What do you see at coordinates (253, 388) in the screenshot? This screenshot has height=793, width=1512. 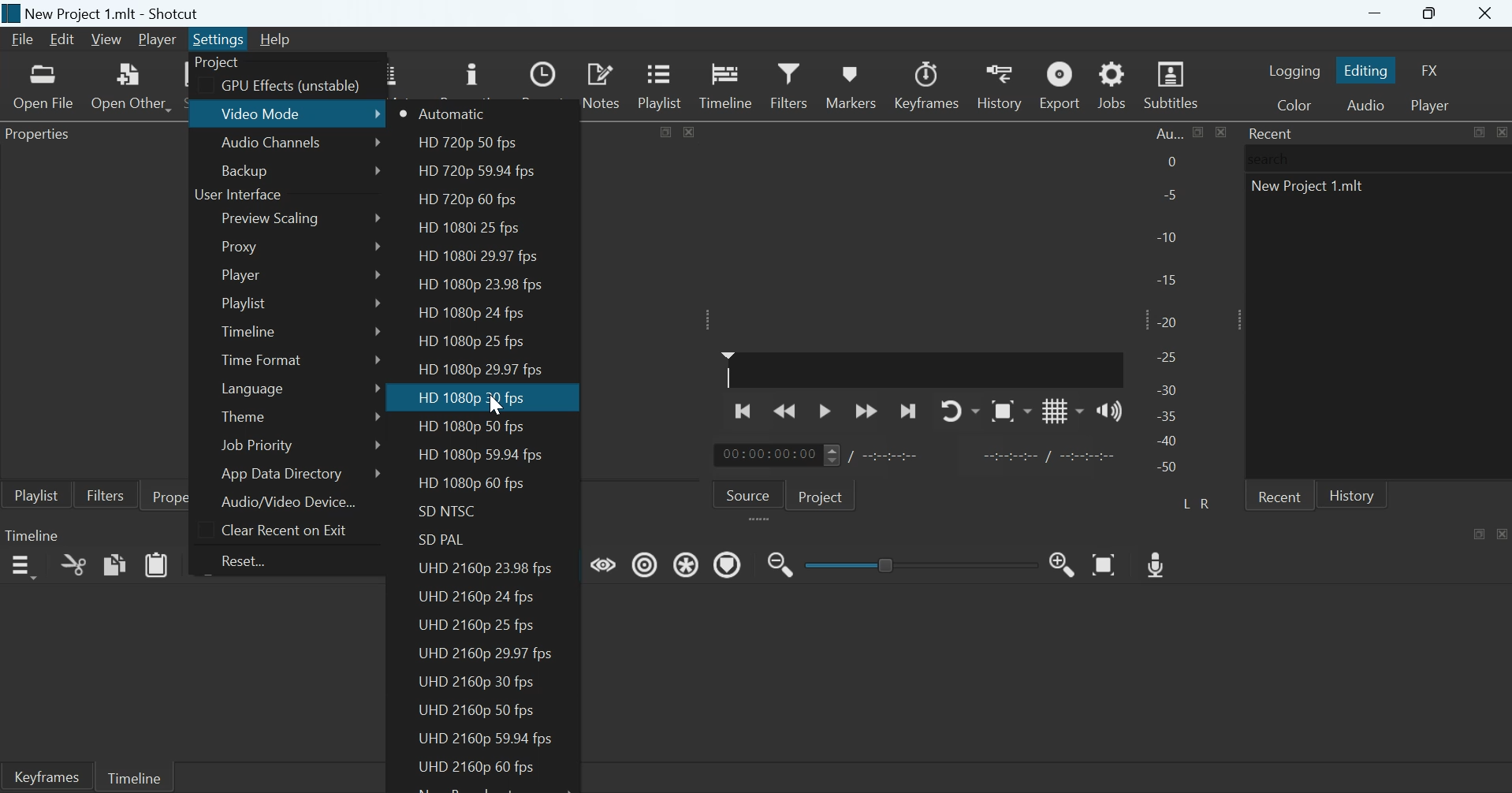 I see `Language` at bounding box center [253, 388].